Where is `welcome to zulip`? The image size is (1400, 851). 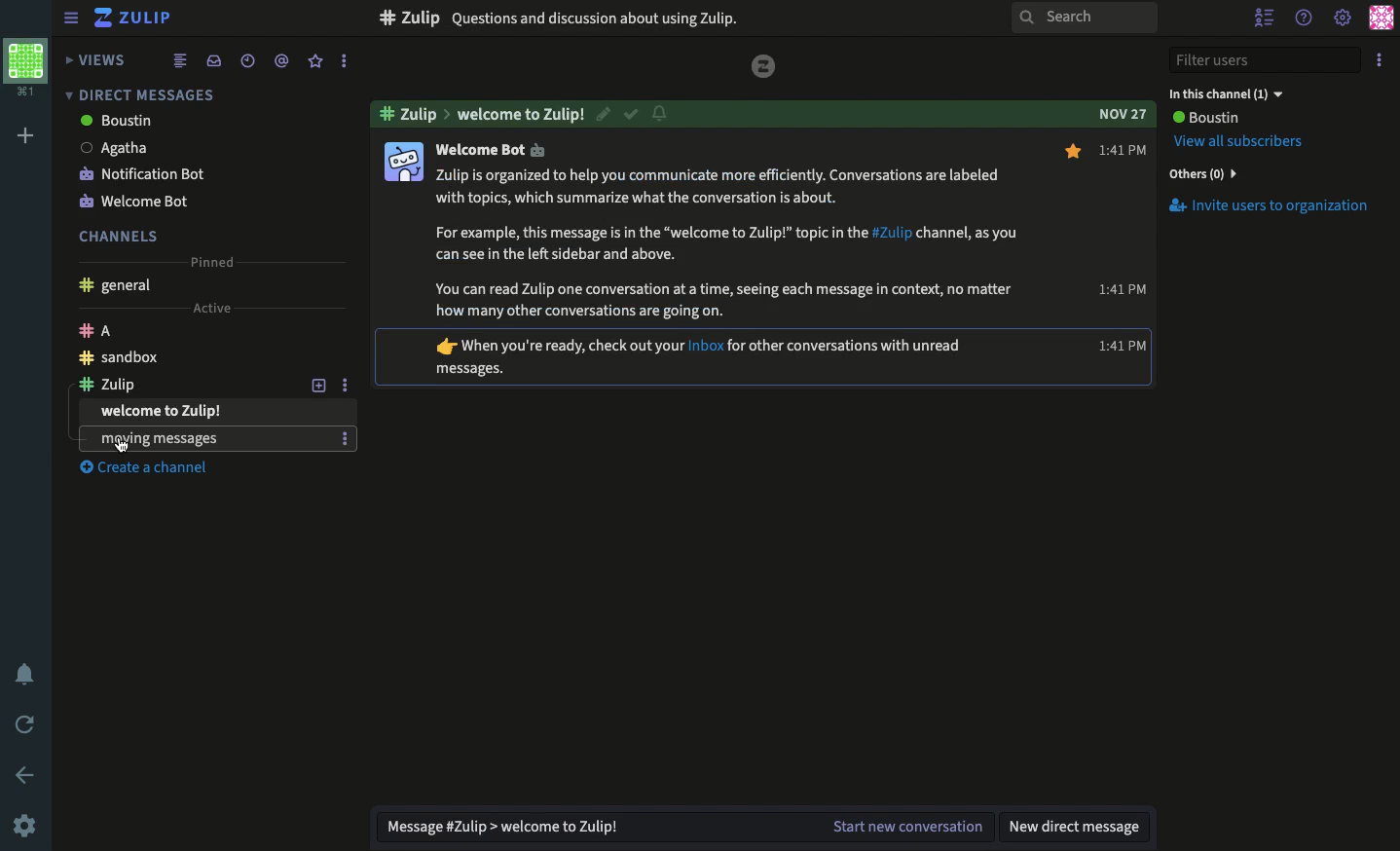
welcome to zulip is located at coordinates (522, 113).